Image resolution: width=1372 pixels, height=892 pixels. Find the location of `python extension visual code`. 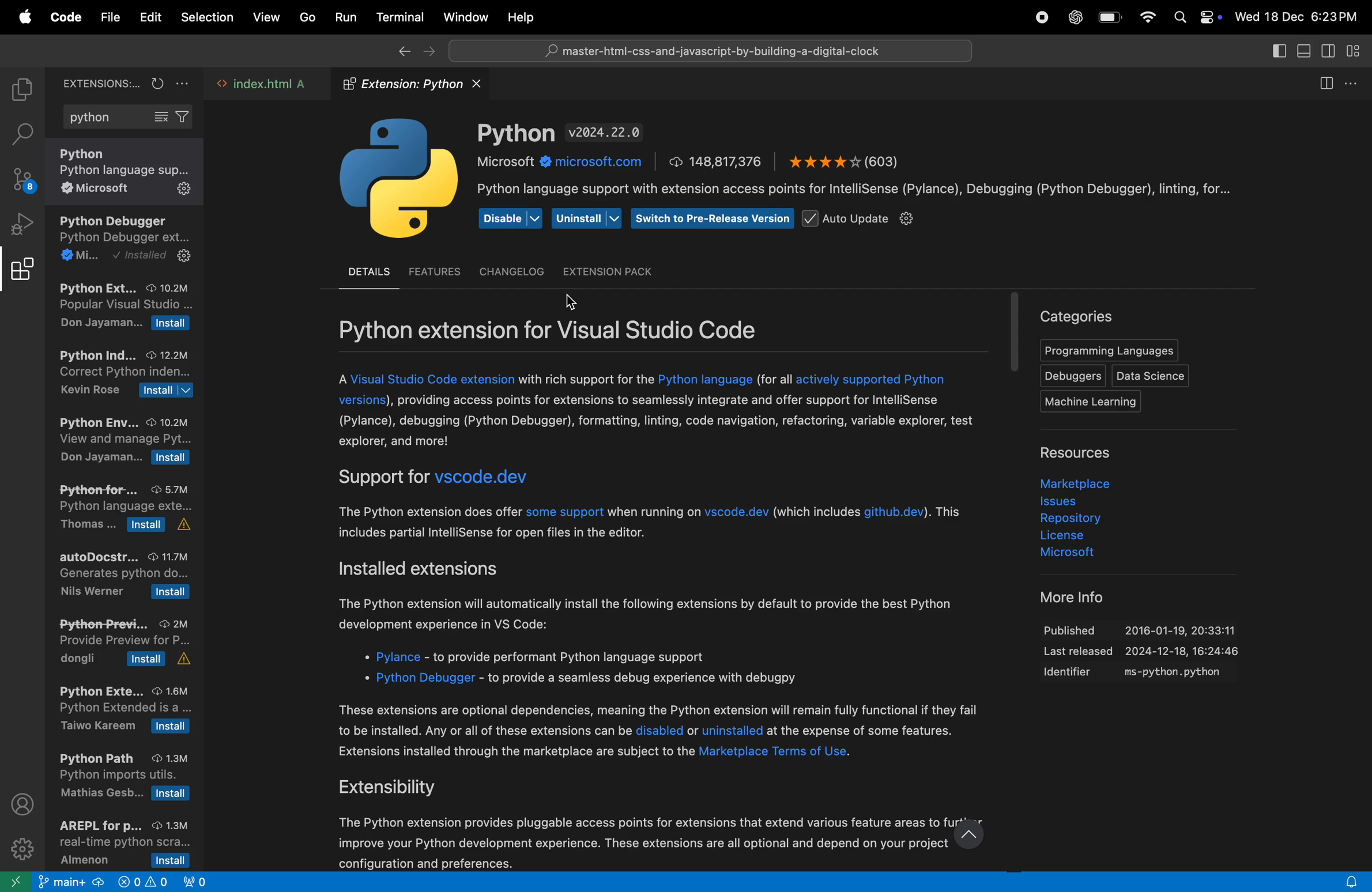

python extension visual code is located at coordinates (582, 329).